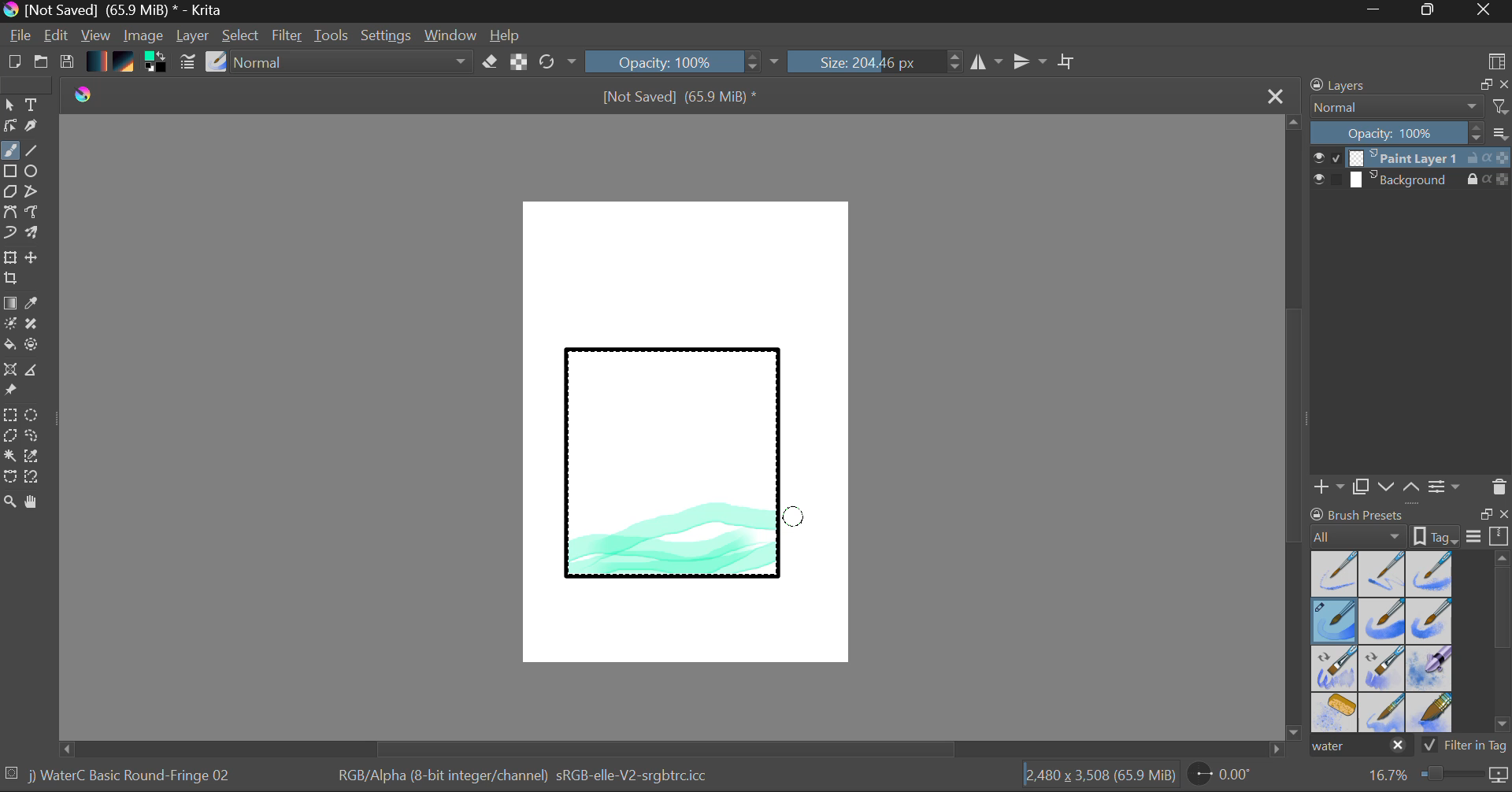  What do you see at coordinates (34, 172) in the screenshot?
I see `Elipses` at bounding box center [34, 172].